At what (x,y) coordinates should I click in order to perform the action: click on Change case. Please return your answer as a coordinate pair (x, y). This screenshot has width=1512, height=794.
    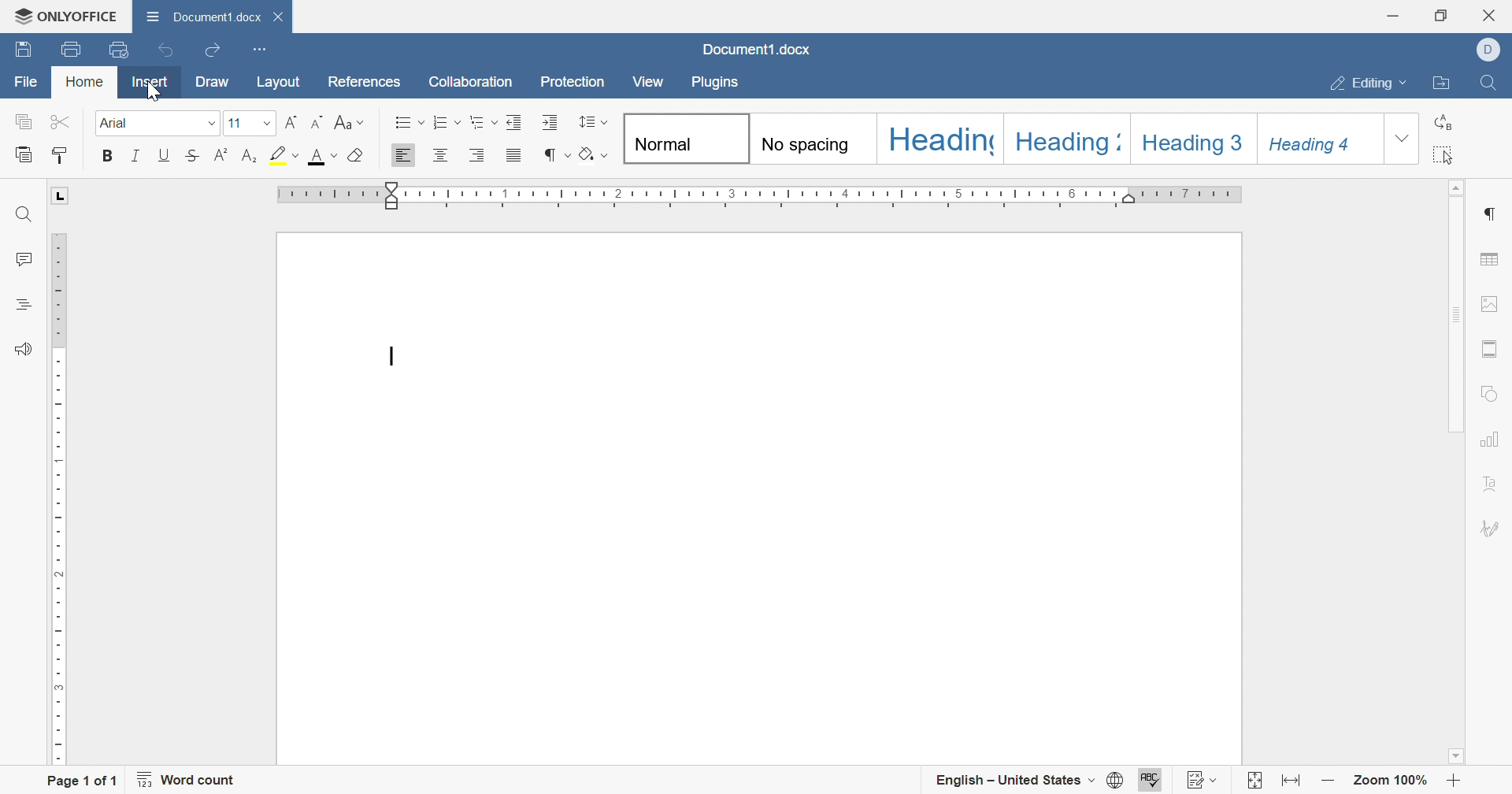
    Looking at the image, I should click on (347, 123).